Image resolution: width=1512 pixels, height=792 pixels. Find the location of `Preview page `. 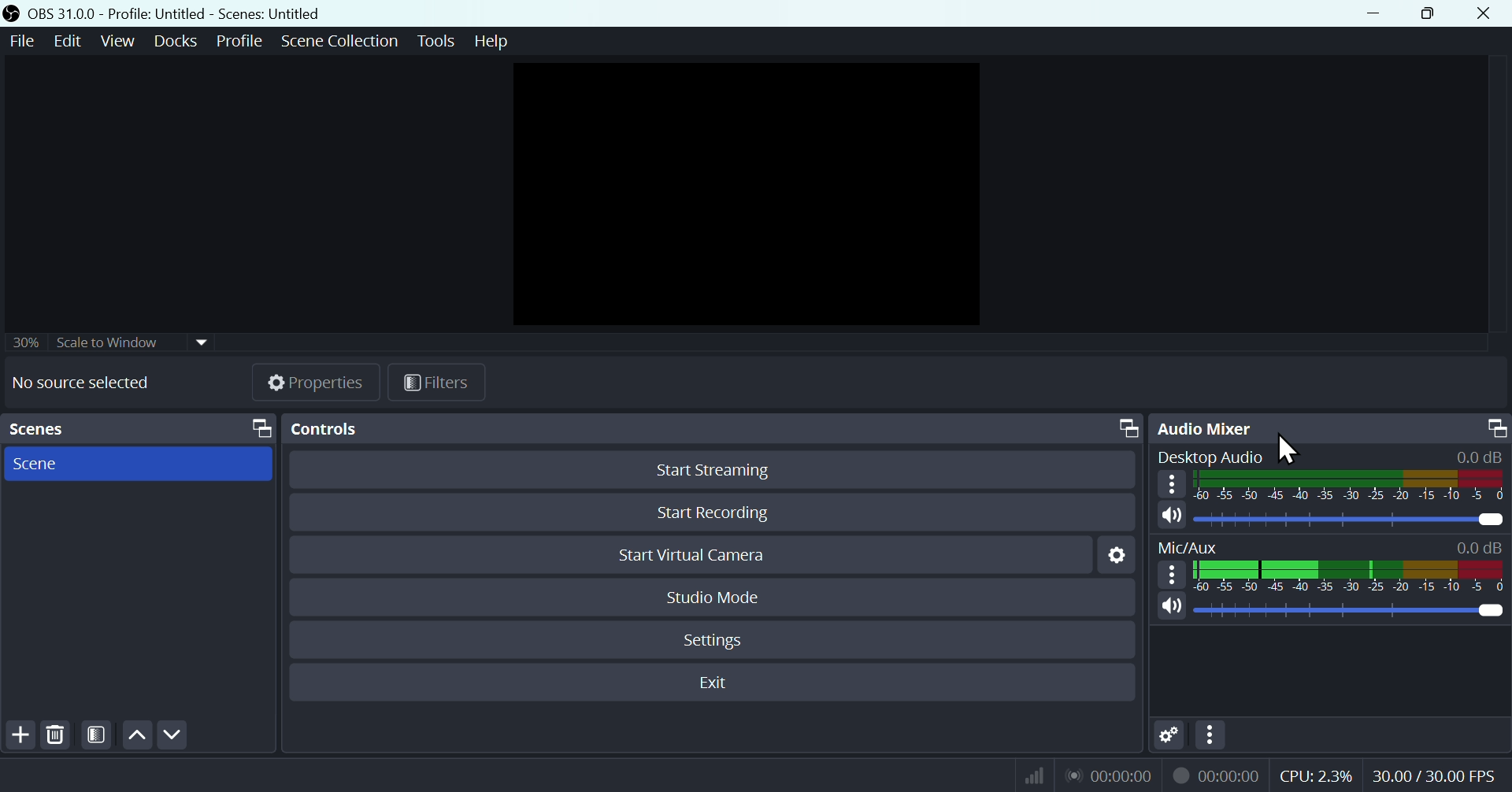

Preview page  is located at coordinates (741, 190).